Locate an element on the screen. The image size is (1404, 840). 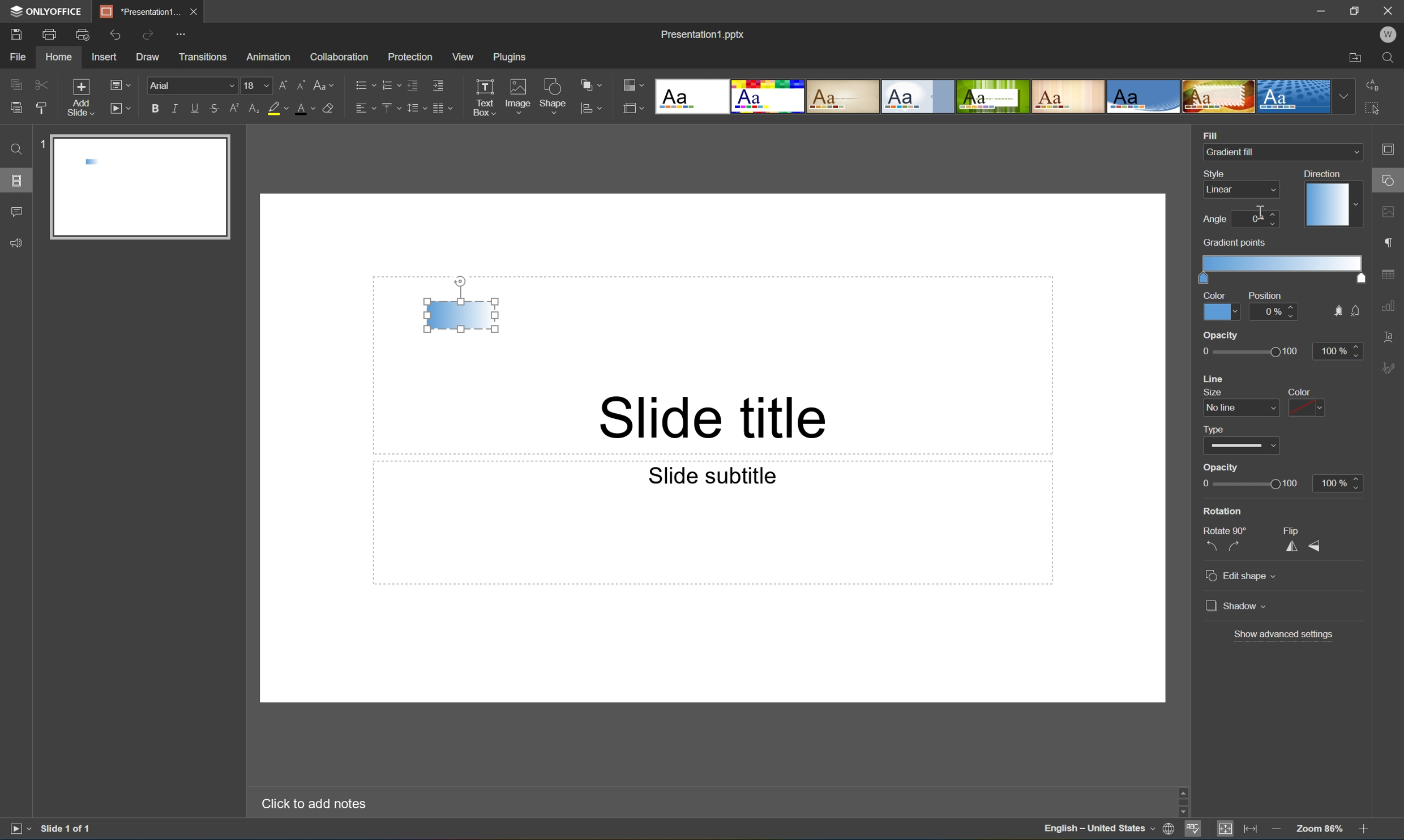
Color is located at coordinates (1221, 311).